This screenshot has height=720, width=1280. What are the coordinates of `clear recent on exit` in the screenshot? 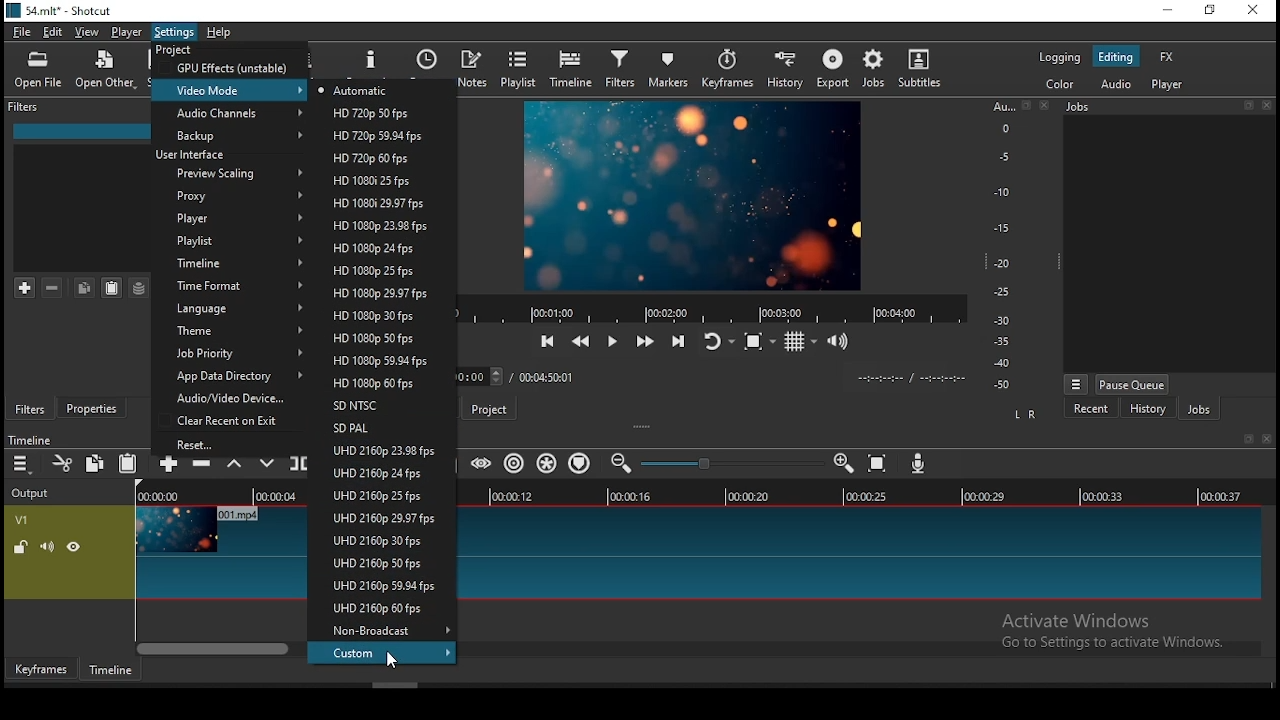 It's located at (231, 422).